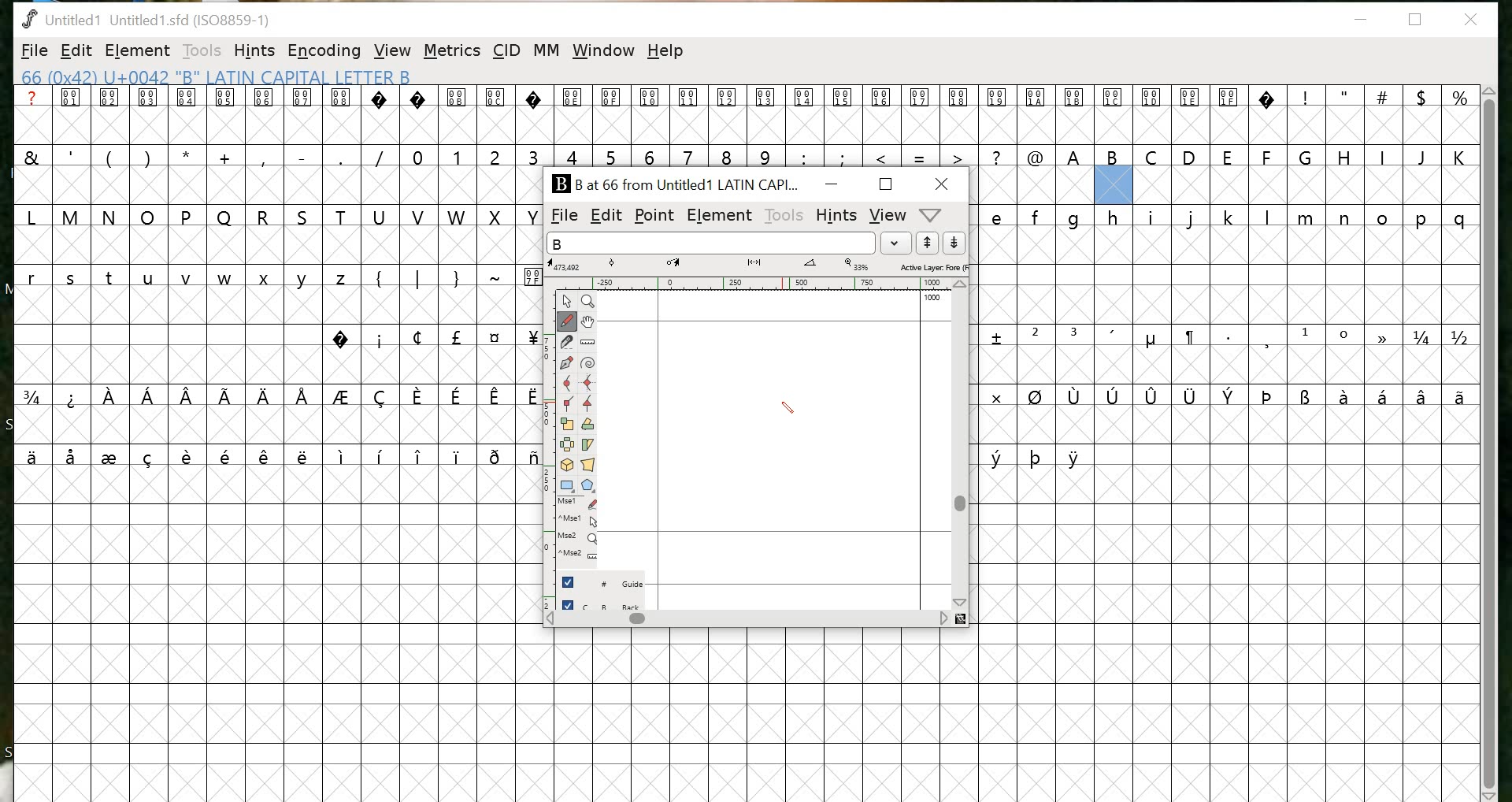 The height and width of the screenshot is (802, 1512). What do you see at coordinates (932, 301) in the screenshot?
I see `100` at bounding box center [932, 301].